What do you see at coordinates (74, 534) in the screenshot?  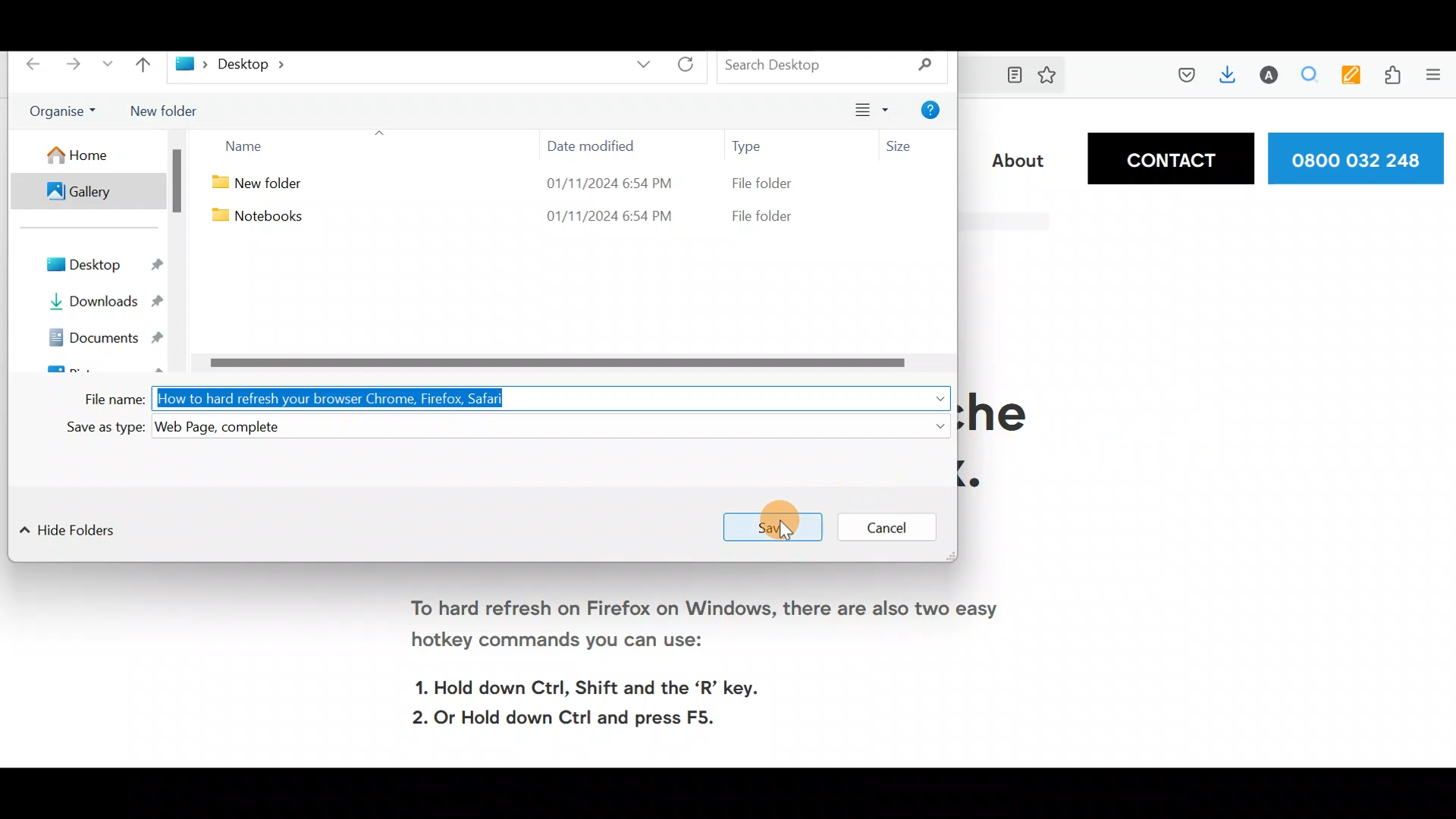 I see `Hide folders` at bounding box center [74, 534].